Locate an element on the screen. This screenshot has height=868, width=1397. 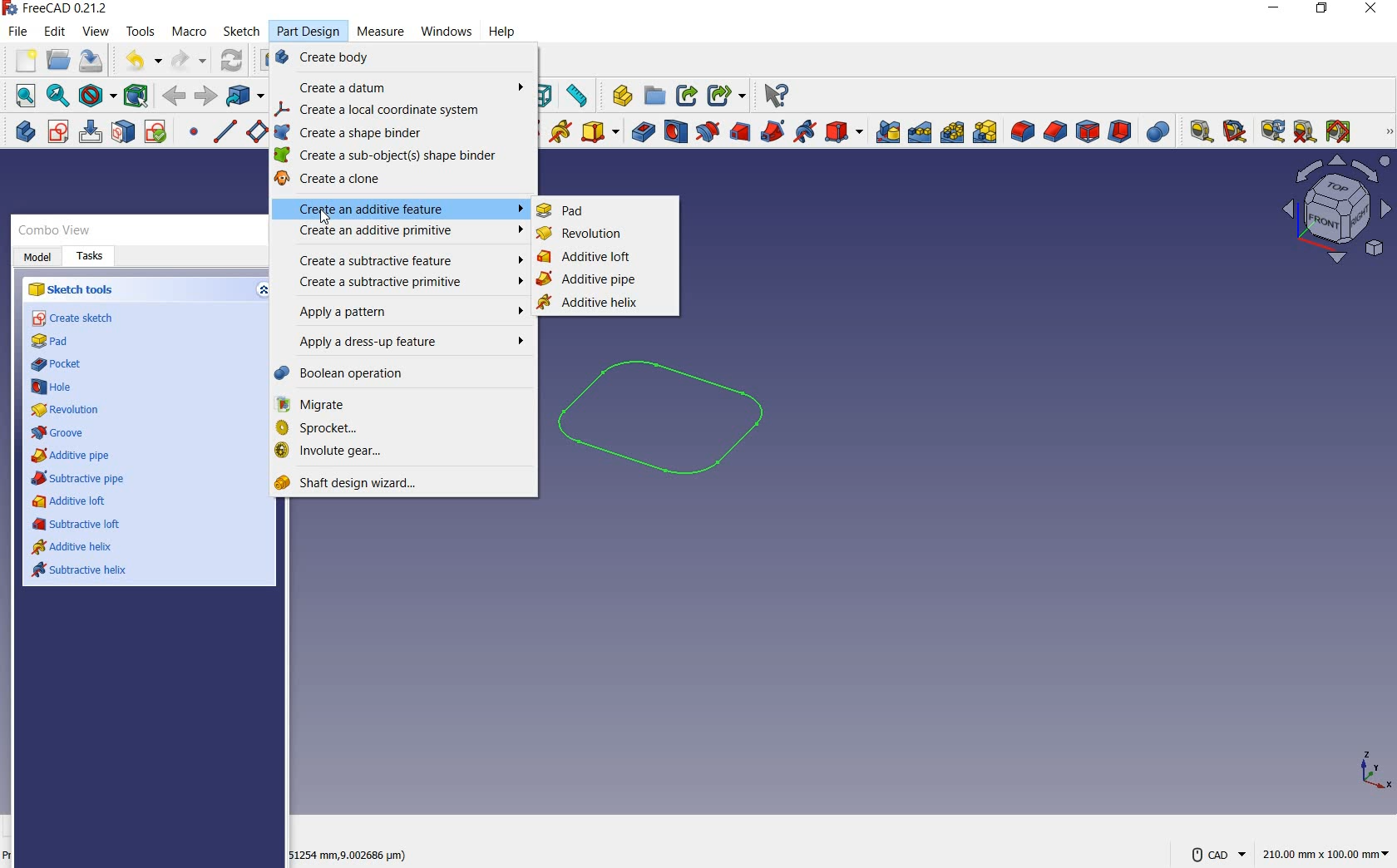
apply a pattern is located at coordinates (407, 313).